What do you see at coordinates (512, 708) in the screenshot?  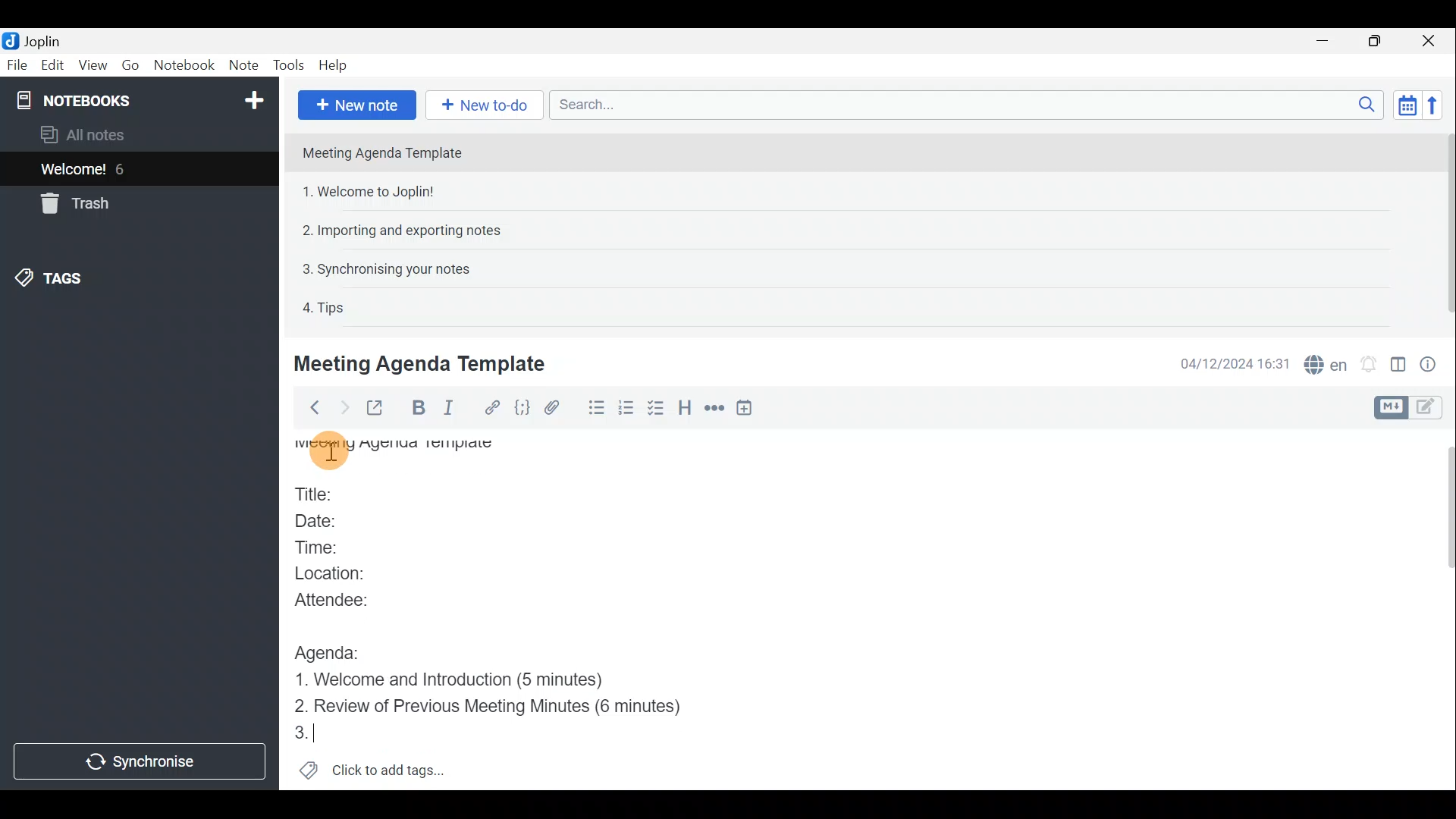 I see `Review of Previous Meeting Minutes (6 minutes)` at bounding box center [512, 708].